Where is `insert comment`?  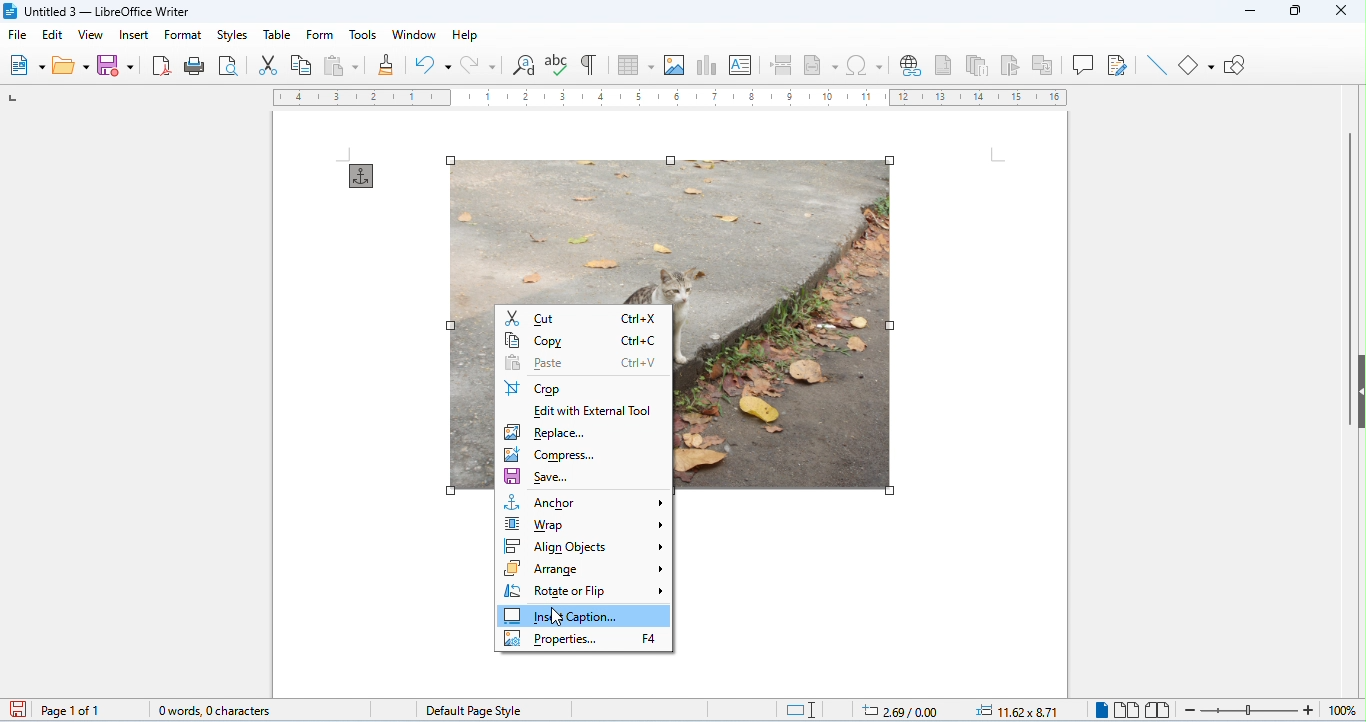 insert comment is located at coordinates (1084, 64).